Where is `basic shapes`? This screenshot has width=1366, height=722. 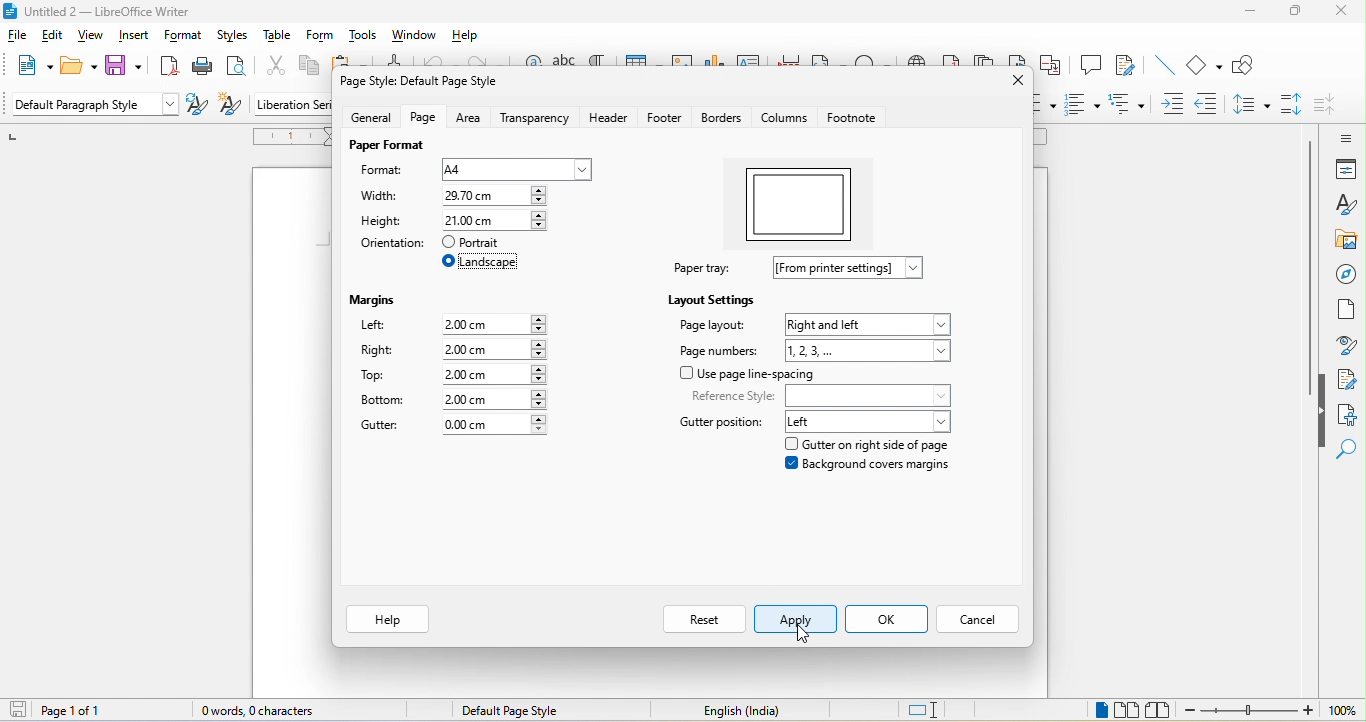 basic shapes is located at coordinates (1204, 65).